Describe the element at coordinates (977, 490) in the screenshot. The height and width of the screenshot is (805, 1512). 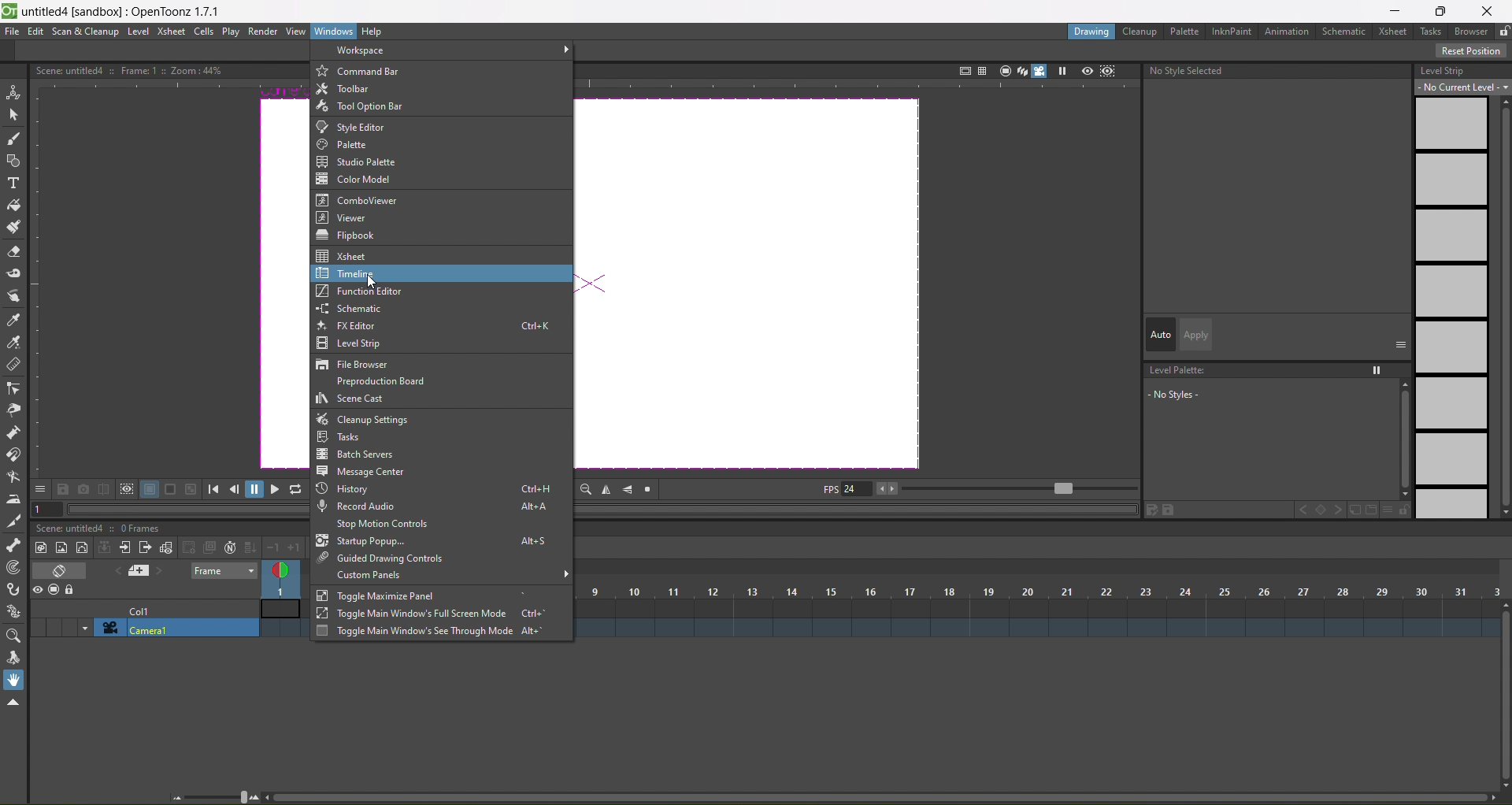
I see `FPS ` at that location.